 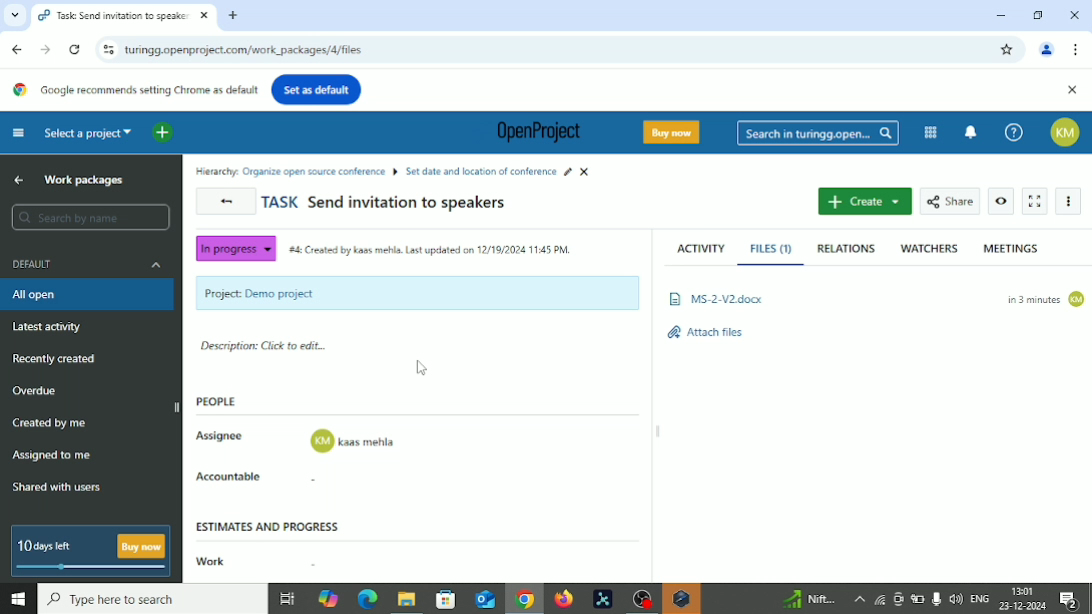 What do you see at coordinates (17, 600) in the screenshot?
I see `Windows` at bounding box center [17, 600].